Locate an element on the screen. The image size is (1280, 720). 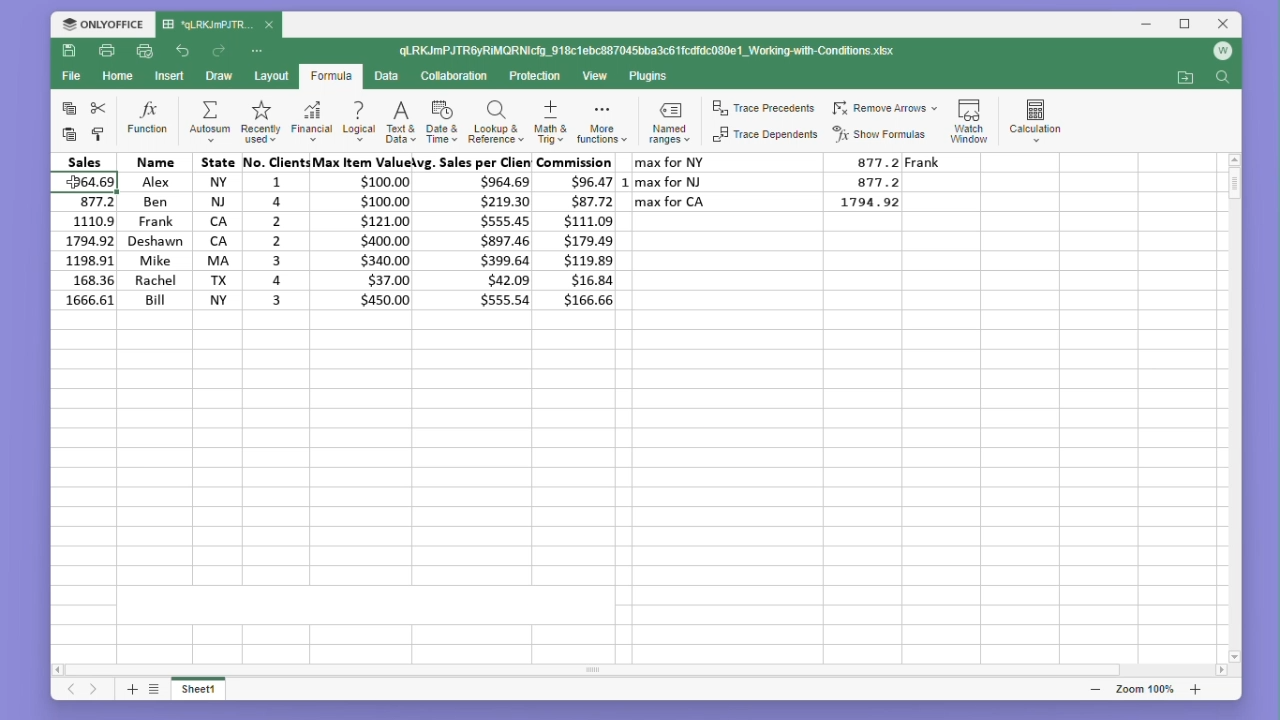
Minimise is located at coordinates (1147, 25).